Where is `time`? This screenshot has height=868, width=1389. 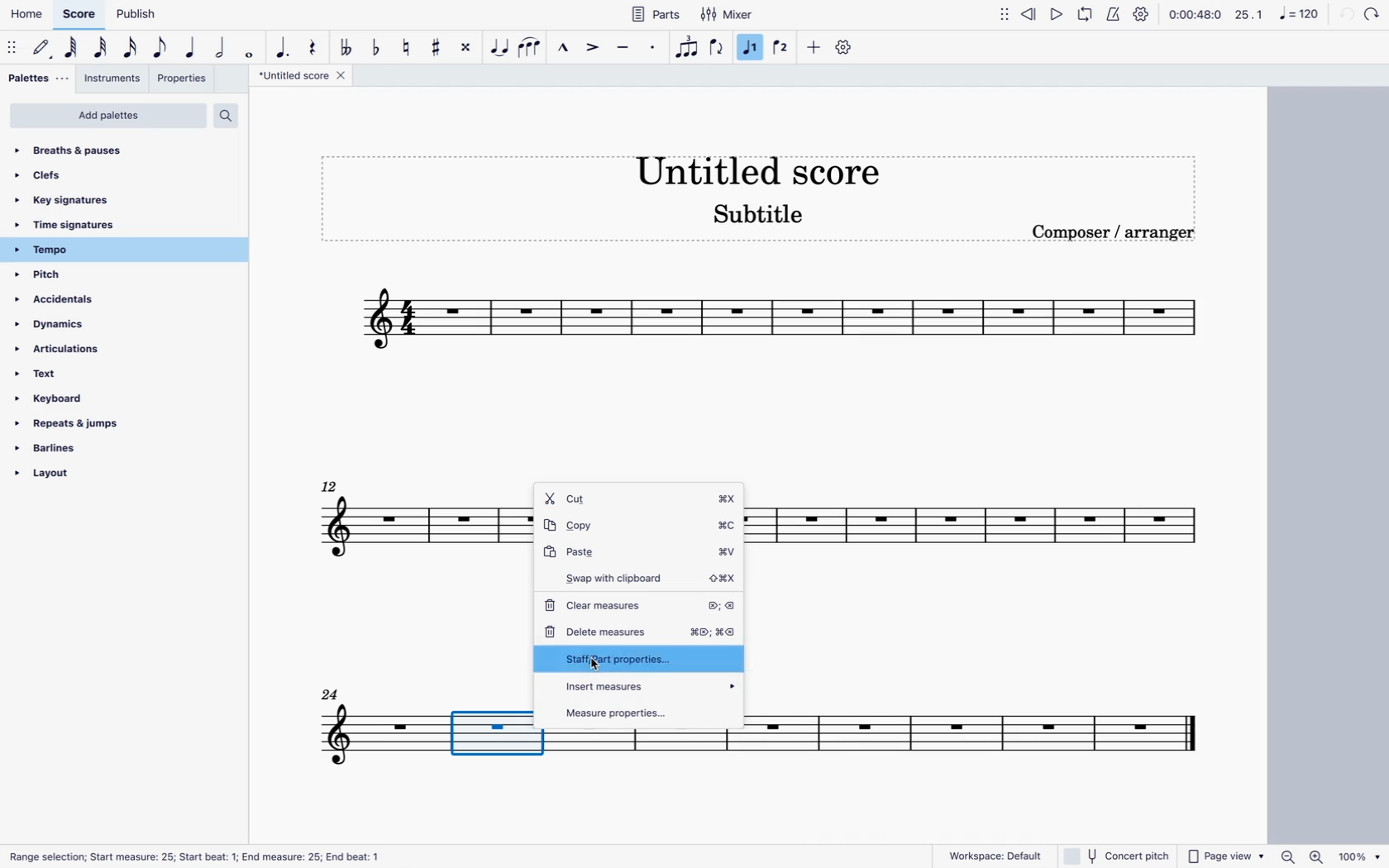
time is located at coordinates (1195, 15).